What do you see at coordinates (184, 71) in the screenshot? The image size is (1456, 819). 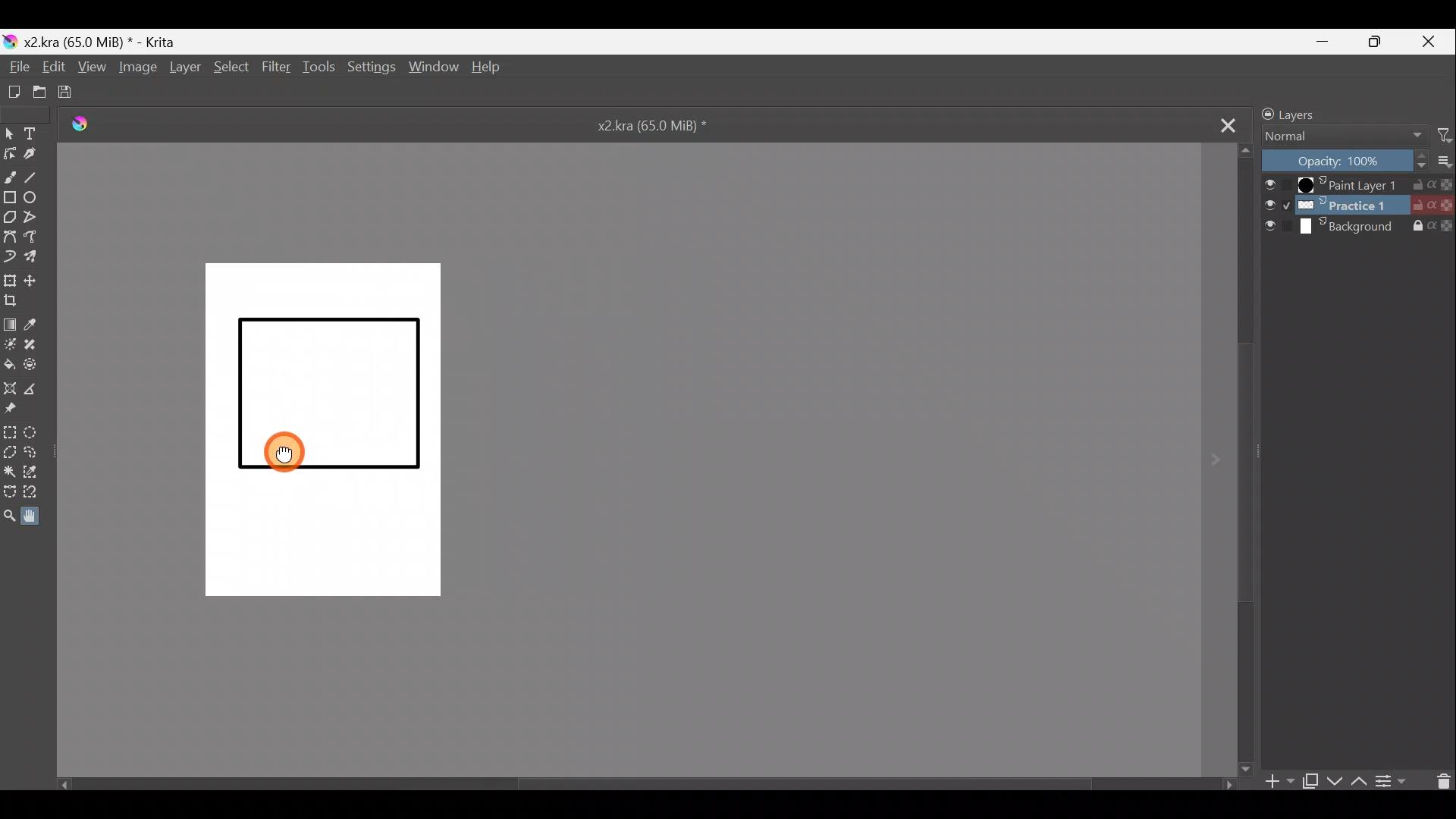 I see `Layer` at bounding box center [184, 71].